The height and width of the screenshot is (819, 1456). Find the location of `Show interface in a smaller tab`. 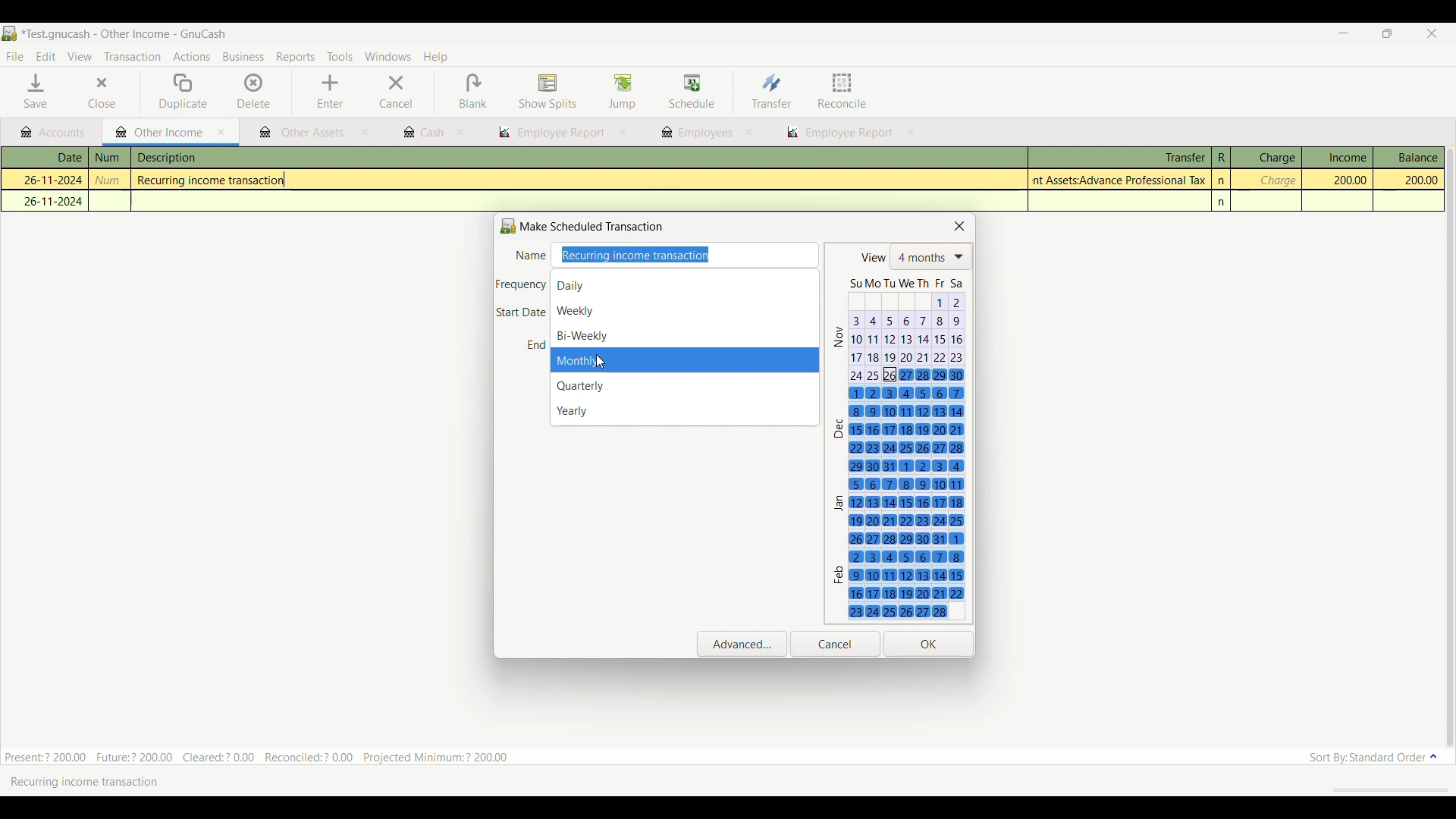

Show interface in a smaller tab is located at coordinates (1393, 35).